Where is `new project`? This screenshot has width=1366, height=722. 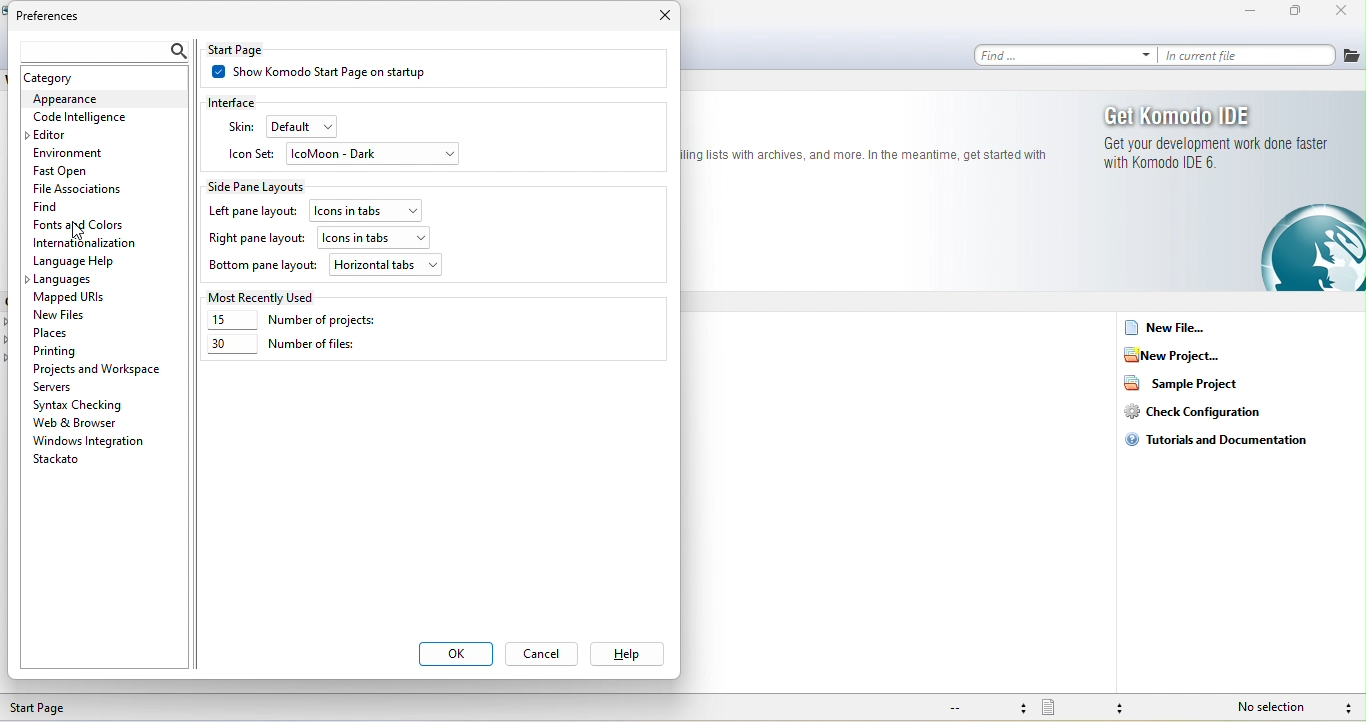
new project is located at coordinates (1181, 353).